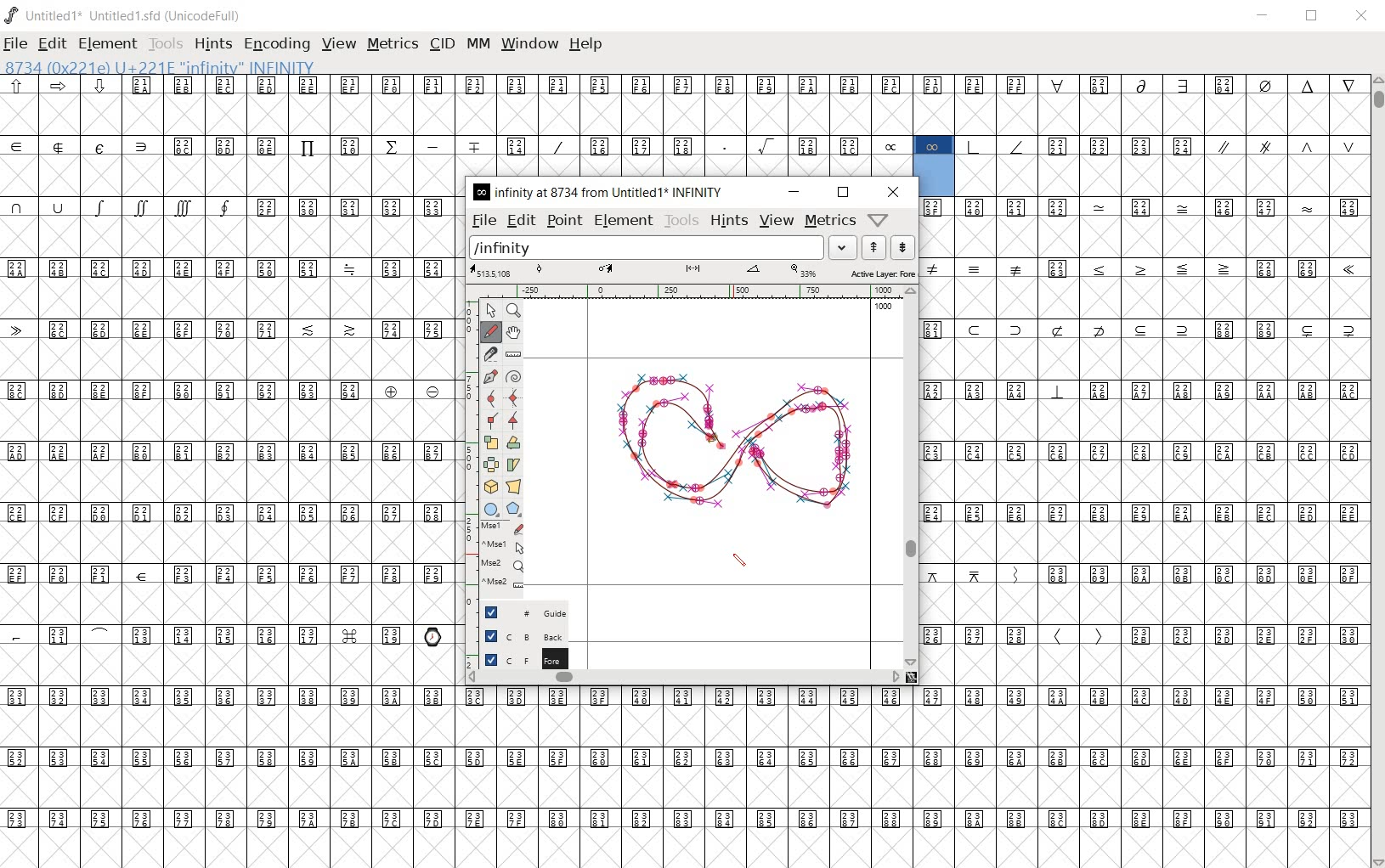  Describe the element at coordinates (483, 220) in the screenshot. I see `file` at that location.